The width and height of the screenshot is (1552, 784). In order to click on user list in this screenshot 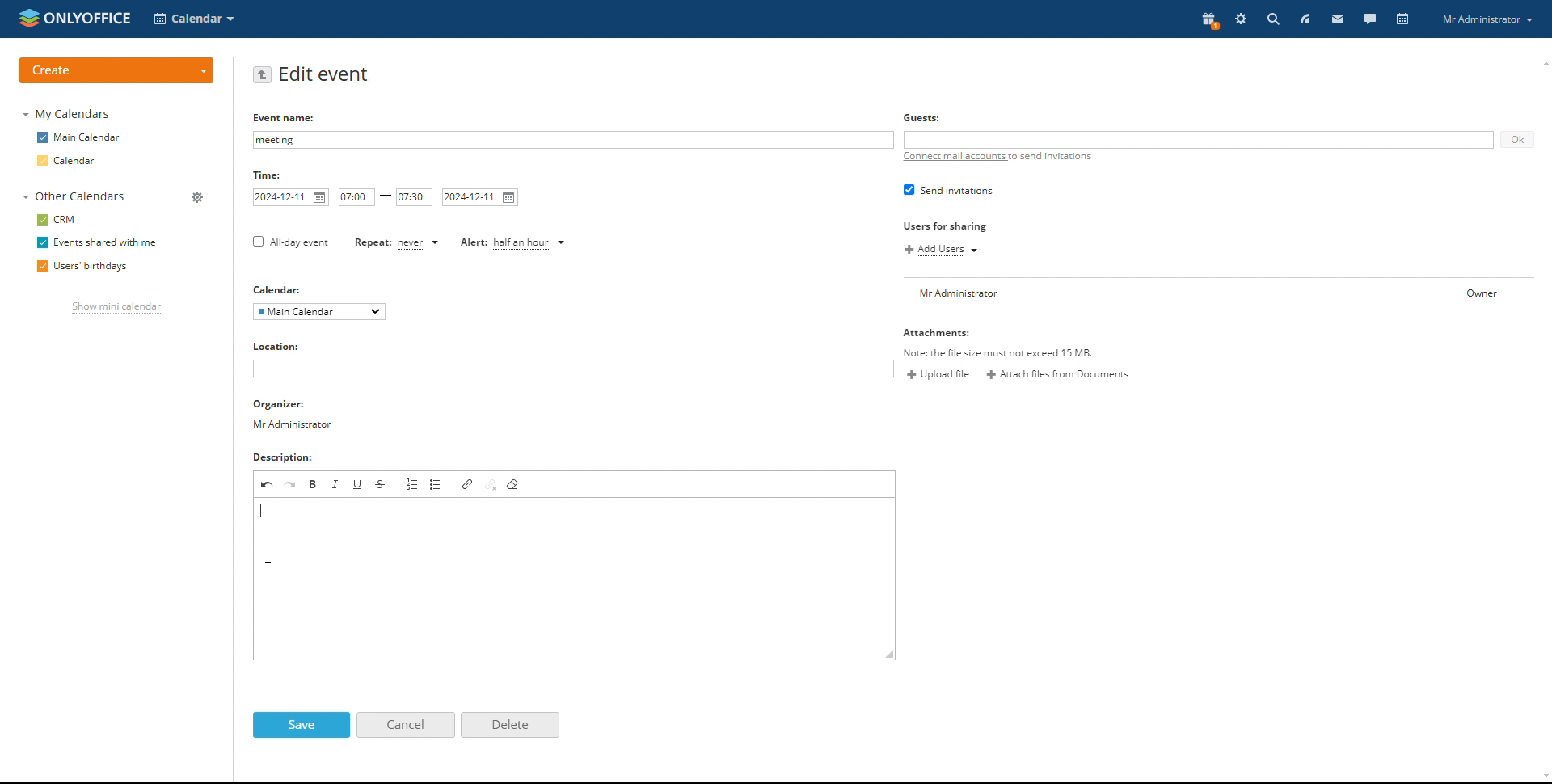, I will do `click(1220, 293)`.